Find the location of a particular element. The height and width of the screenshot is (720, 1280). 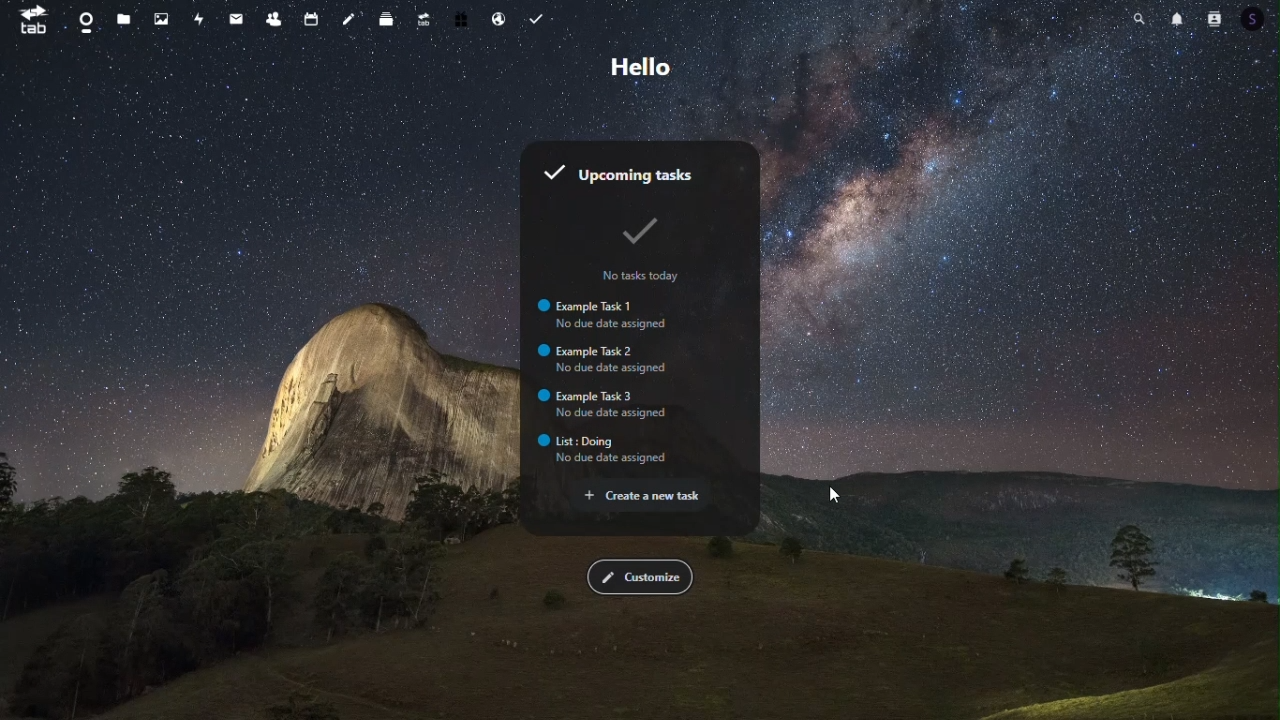

customize is located at coordinates (640, 581).